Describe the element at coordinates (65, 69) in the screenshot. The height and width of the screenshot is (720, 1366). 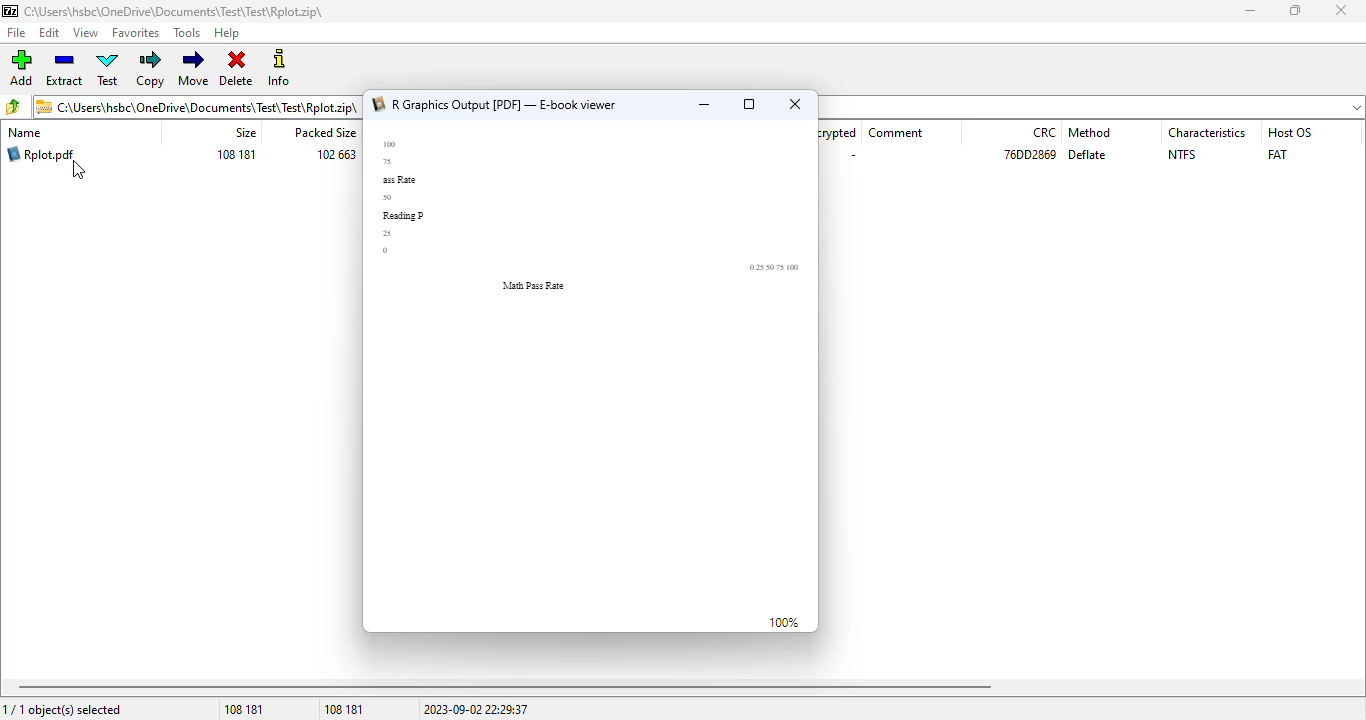
I see `extract` at that location.